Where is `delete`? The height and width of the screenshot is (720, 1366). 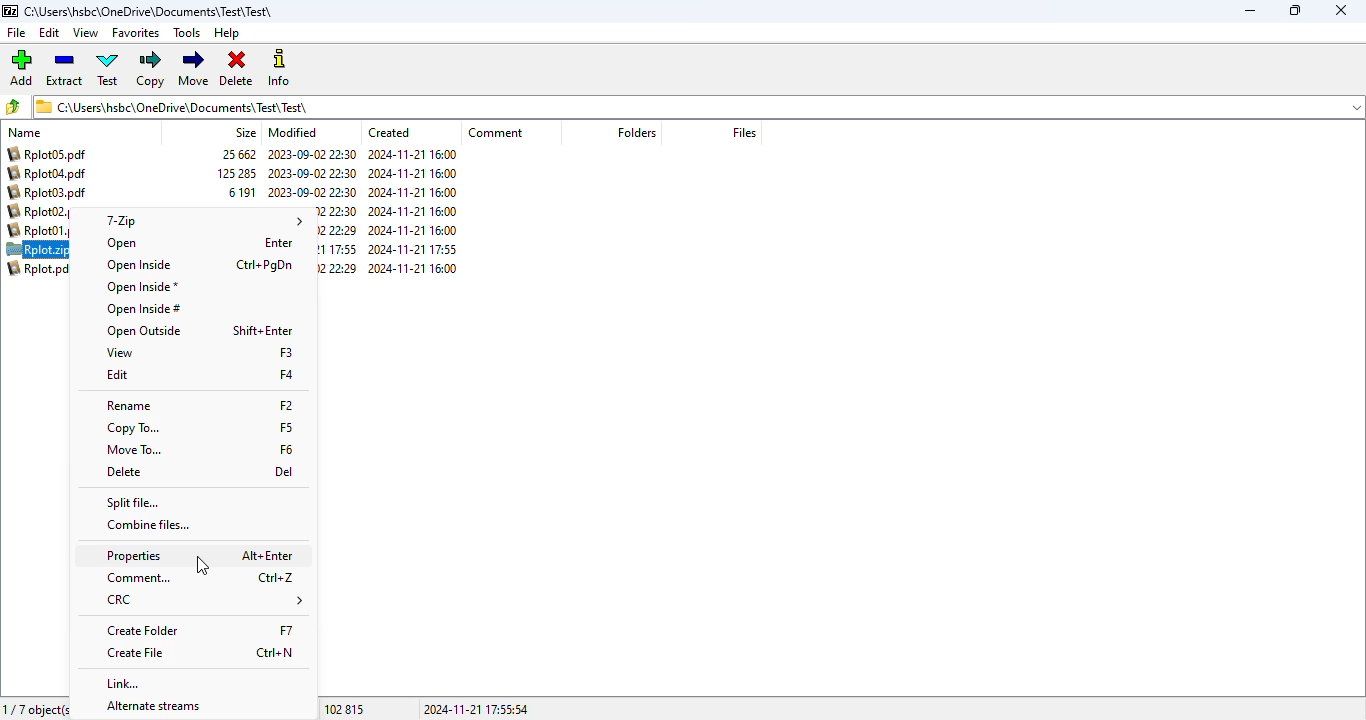 delete is located at coordinates (237, 68).